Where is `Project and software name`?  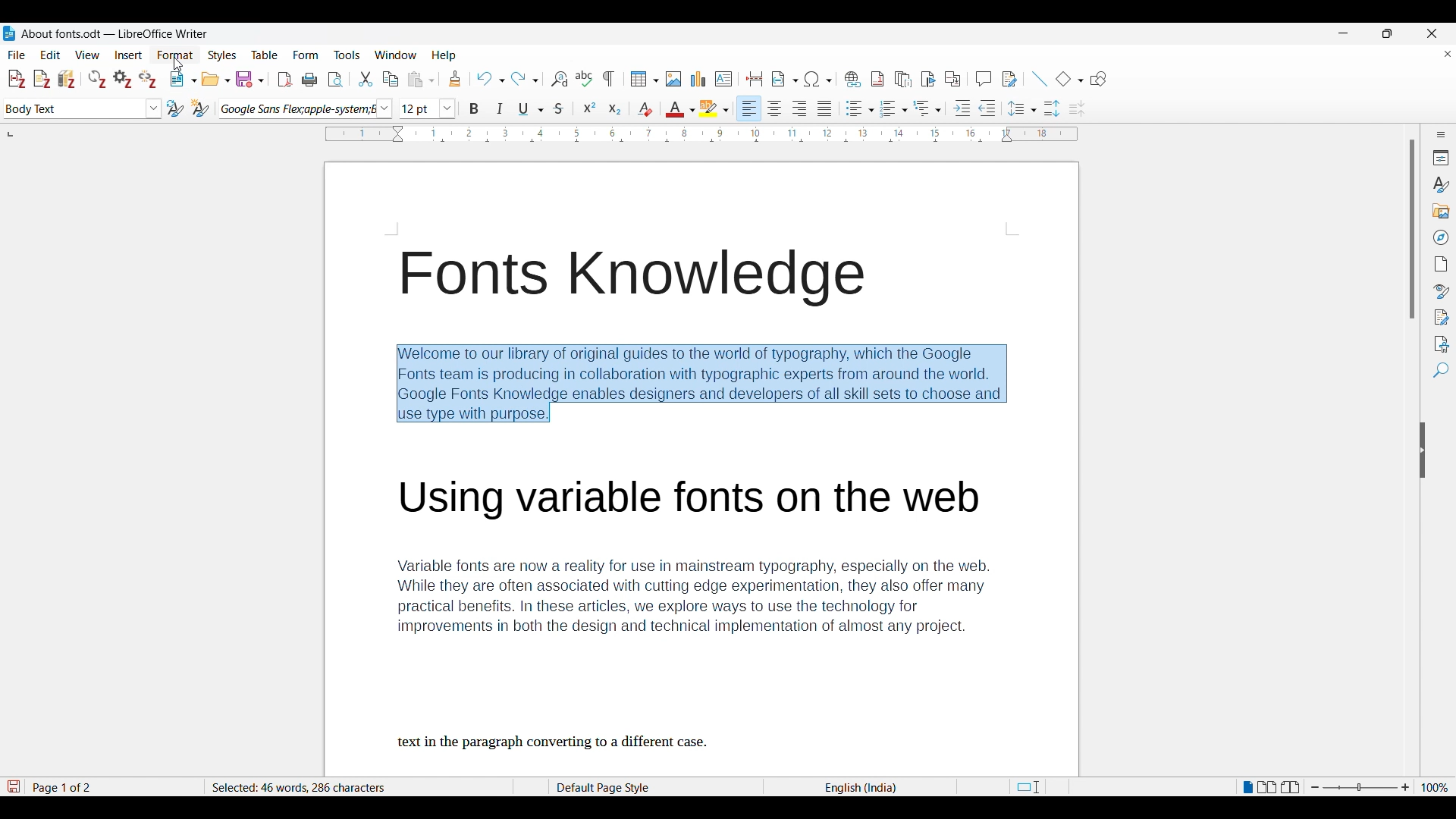 Project and software name is located at coordinates (115, 34).